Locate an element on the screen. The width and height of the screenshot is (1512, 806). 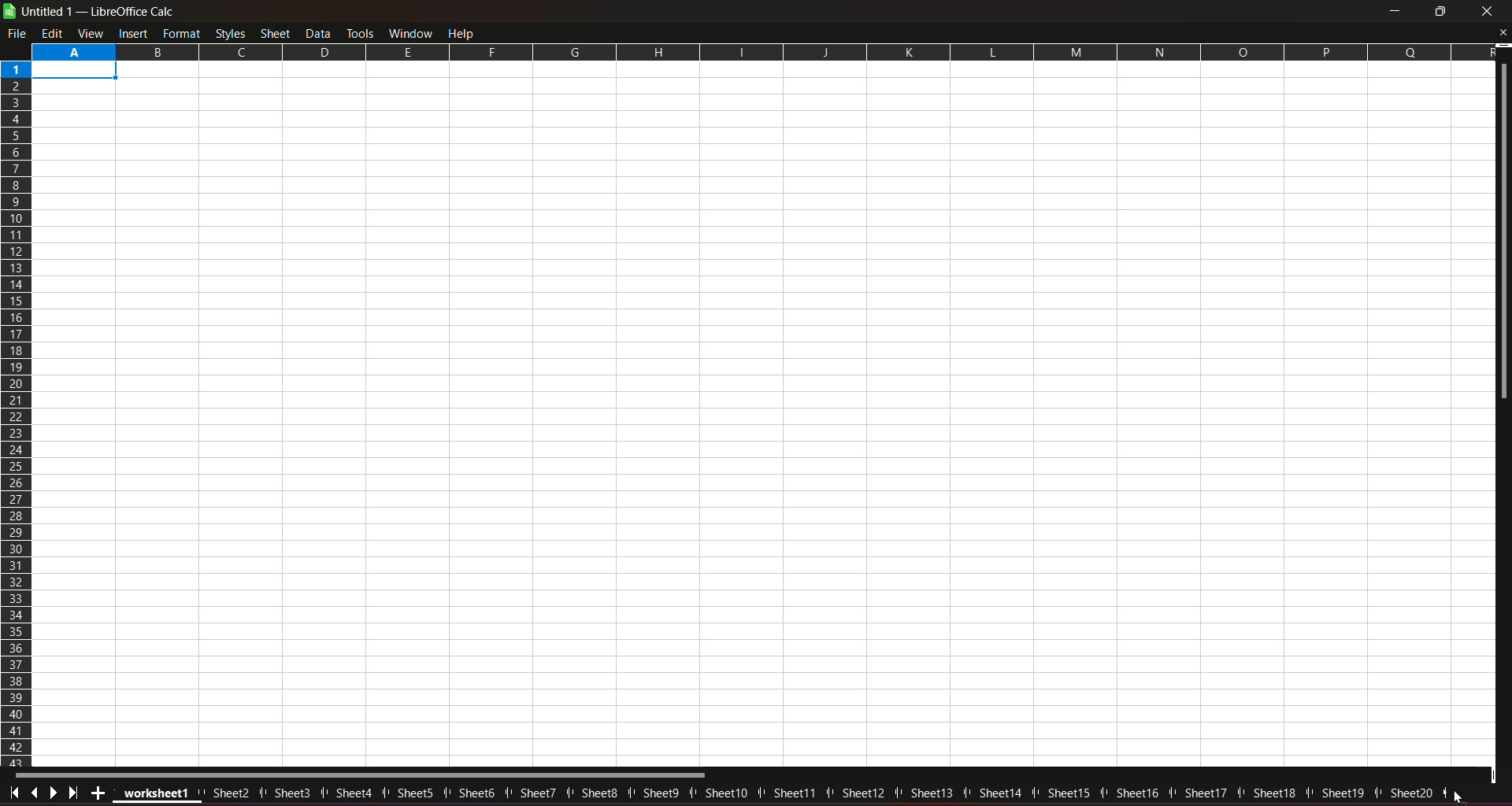
Close is located at coordinates (1487, 13).